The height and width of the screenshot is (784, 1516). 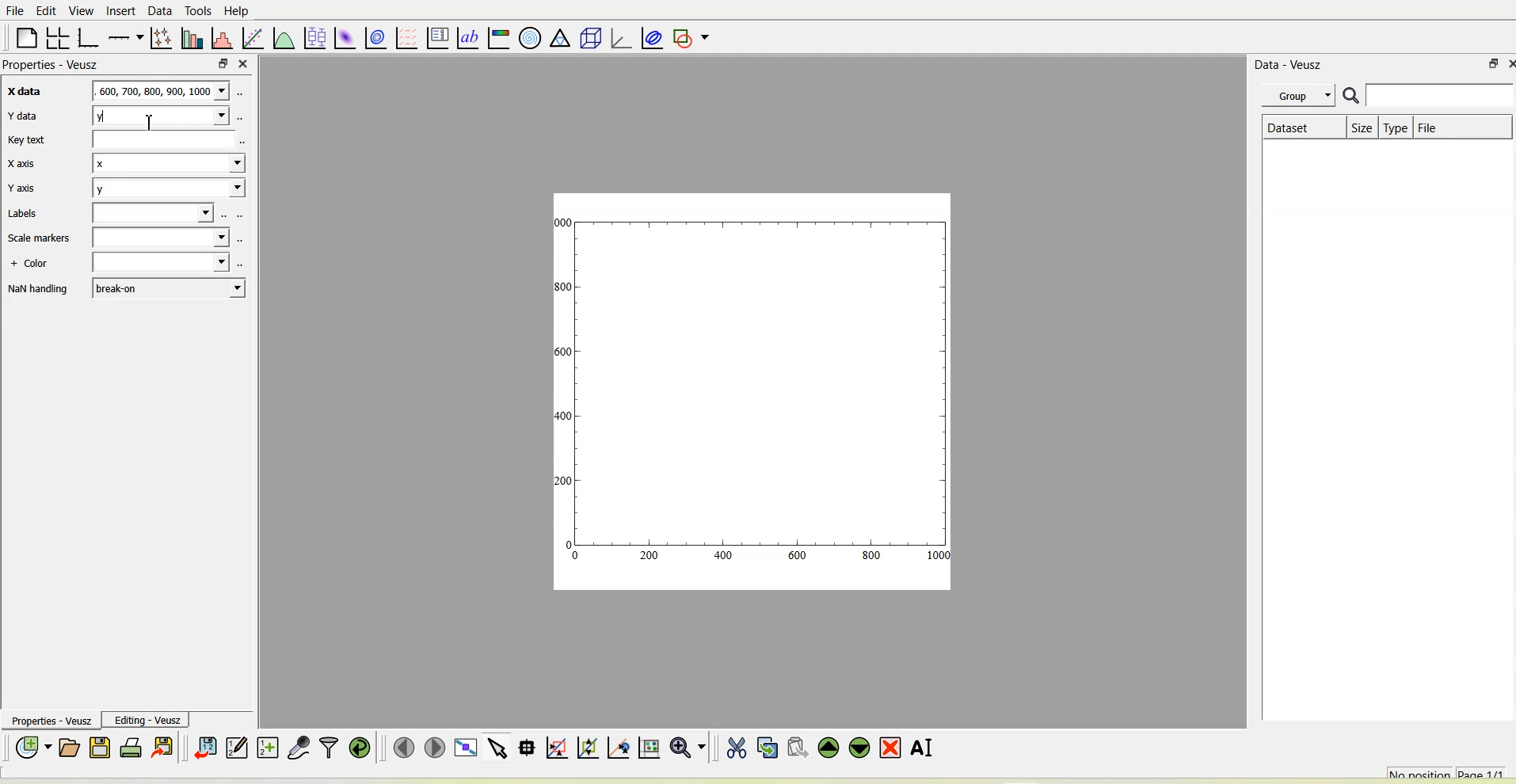 What do you see at coordinates (889, 748) in the screenshot?
I see `Remove the selected widget` at bounding box center [889, 748].